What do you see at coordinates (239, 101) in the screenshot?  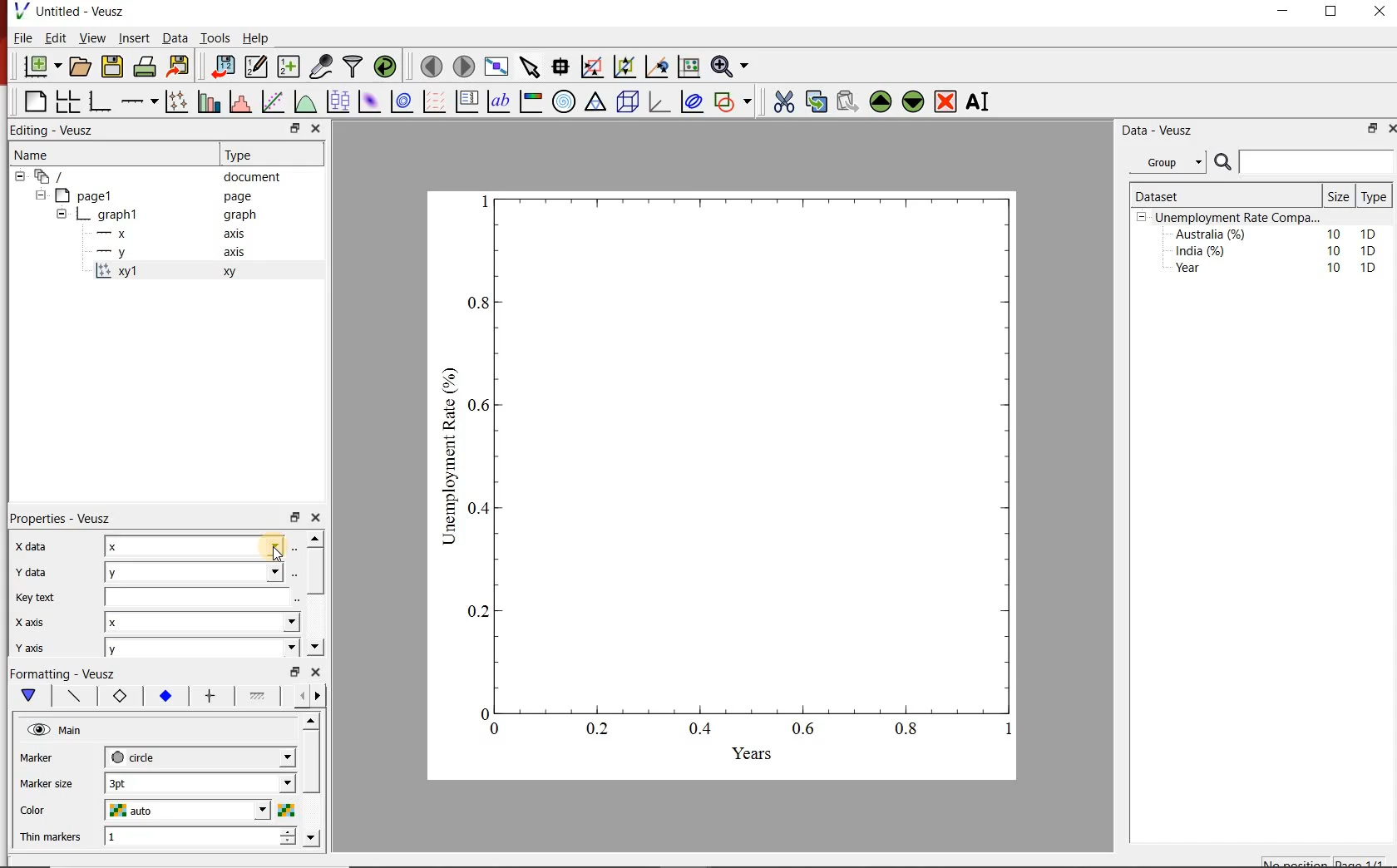 I see `histograms` at bounding box center [239, 101].